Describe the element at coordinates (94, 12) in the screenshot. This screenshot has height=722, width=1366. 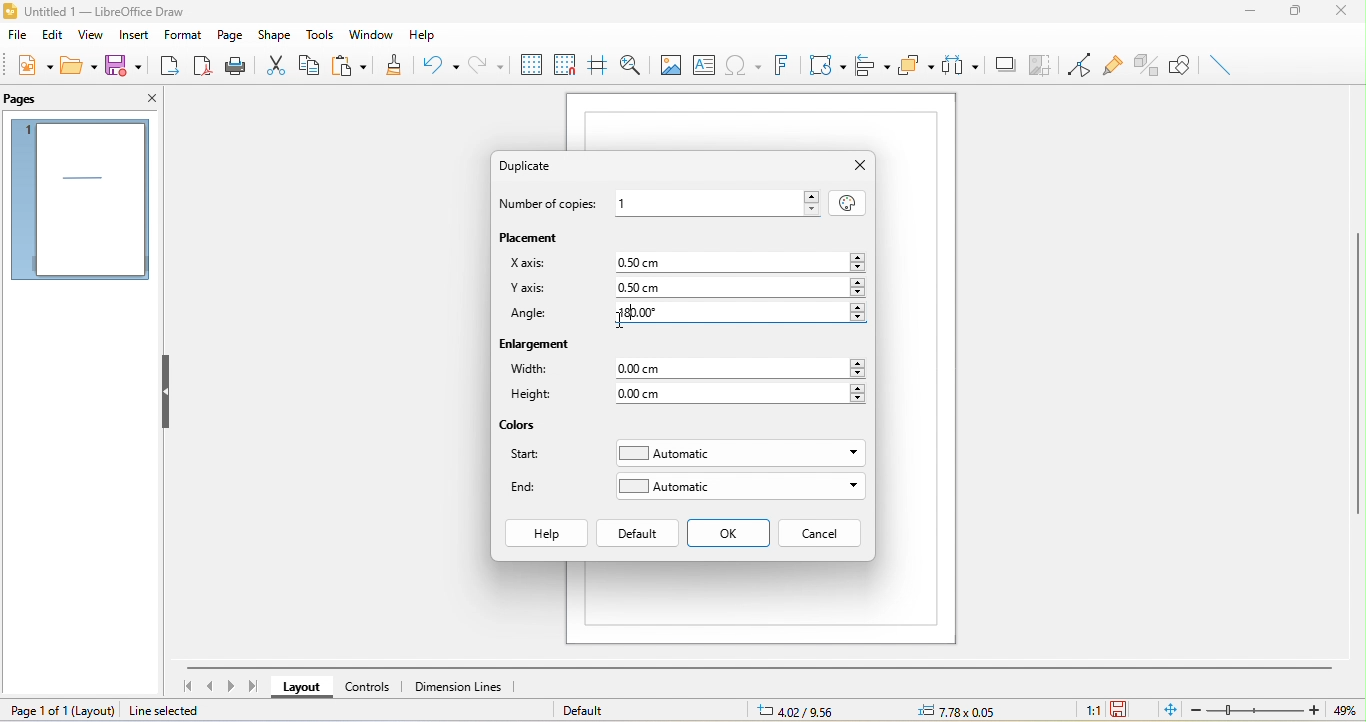
I see `title` at that location.